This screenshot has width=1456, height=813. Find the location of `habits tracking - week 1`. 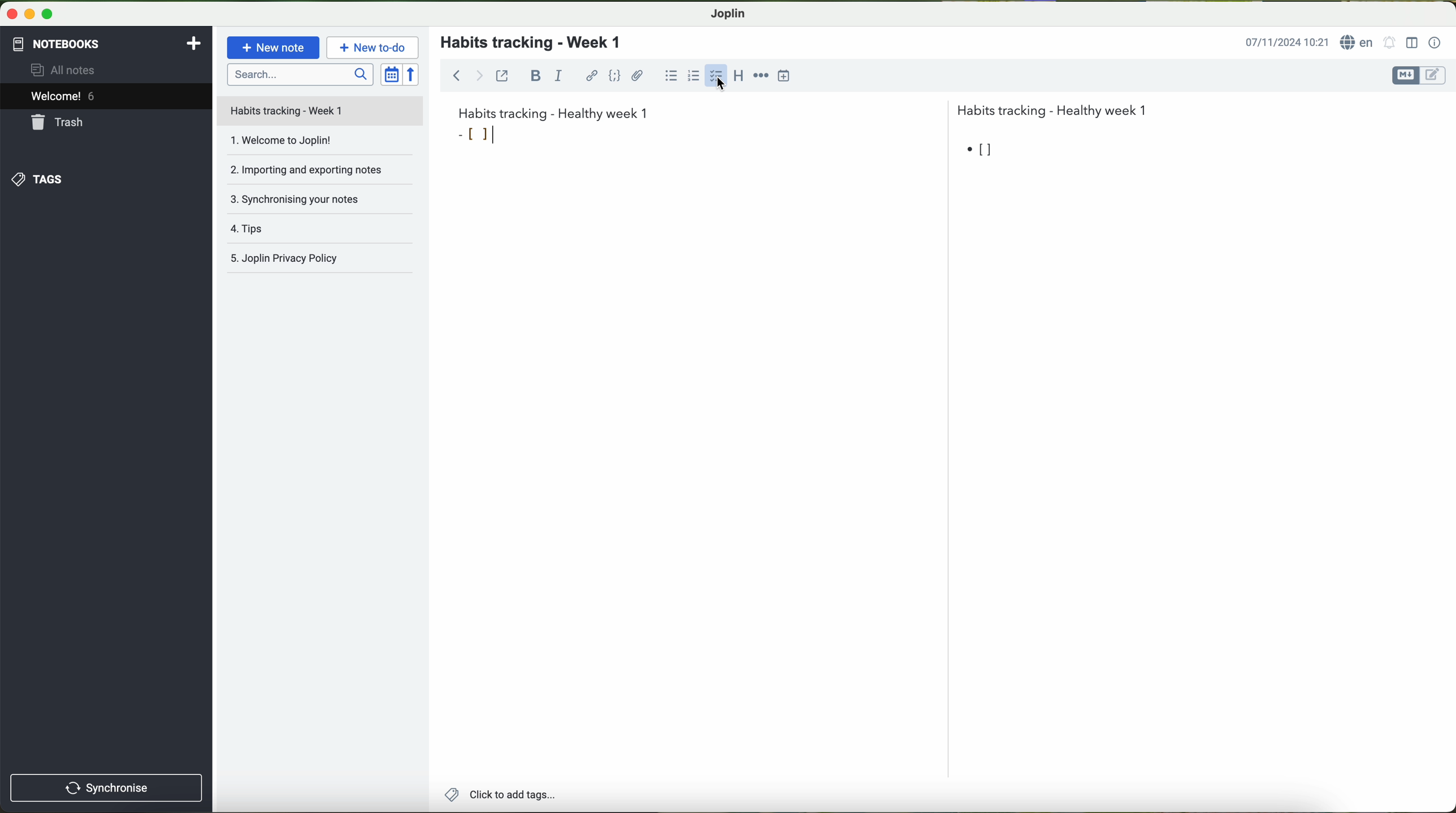

habits tracking - week 1 is located at coordinates (538, 43).